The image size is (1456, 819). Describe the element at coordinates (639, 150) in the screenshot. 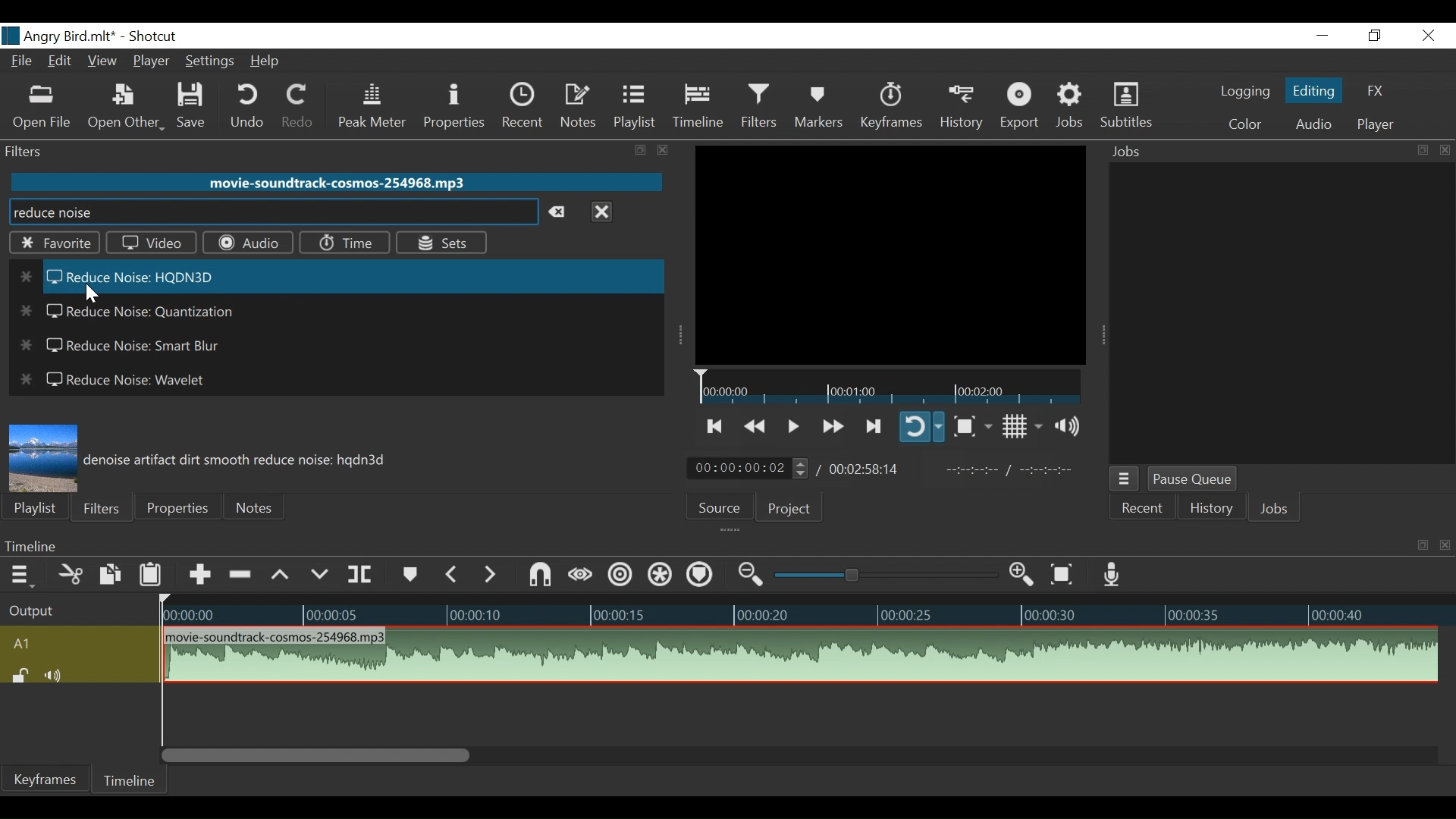

I see `resize` at that location.